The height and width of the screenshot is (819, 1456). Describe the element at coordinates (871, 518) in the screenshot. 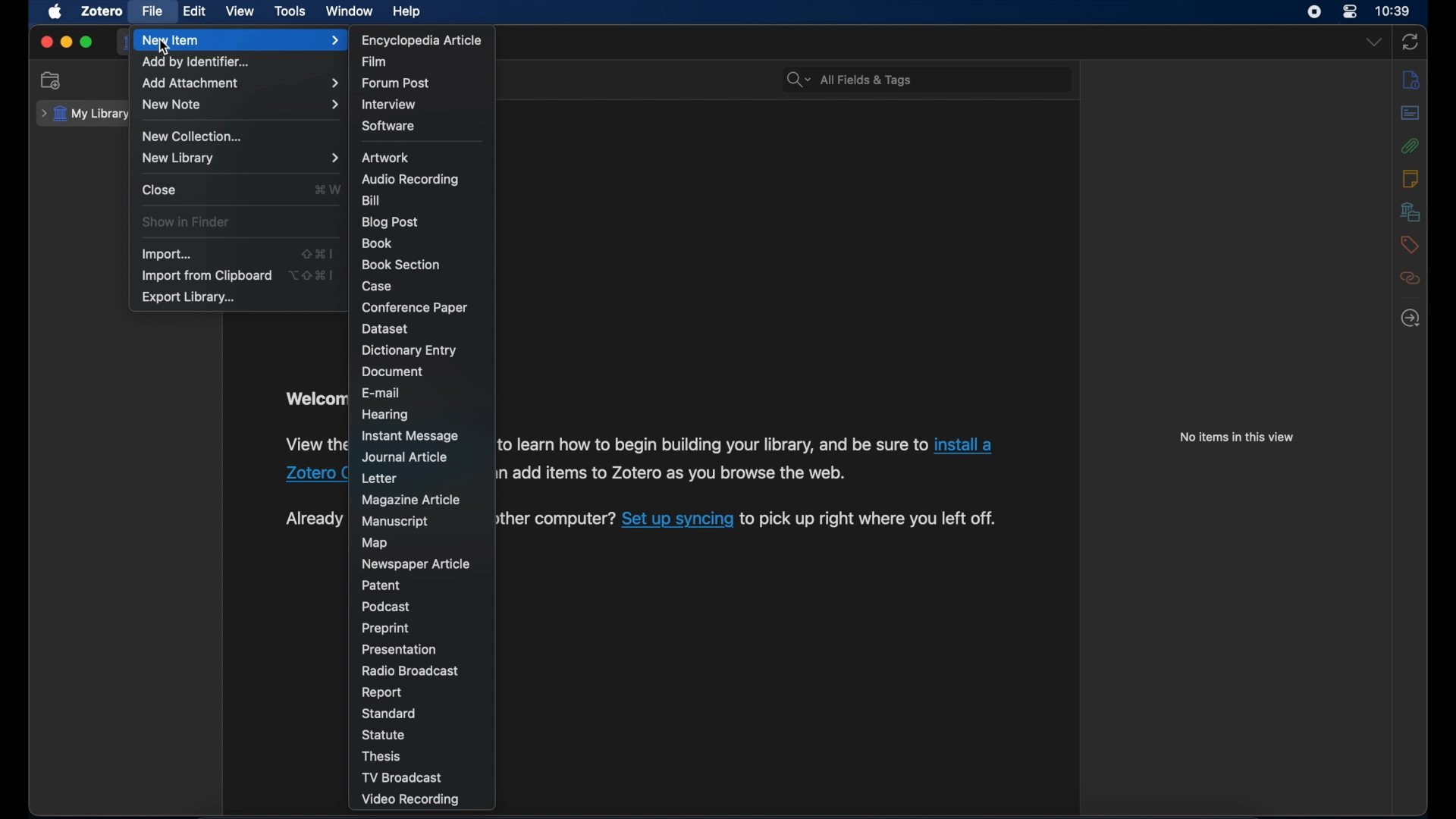

I see `to pick up right where you left off.` at that location.